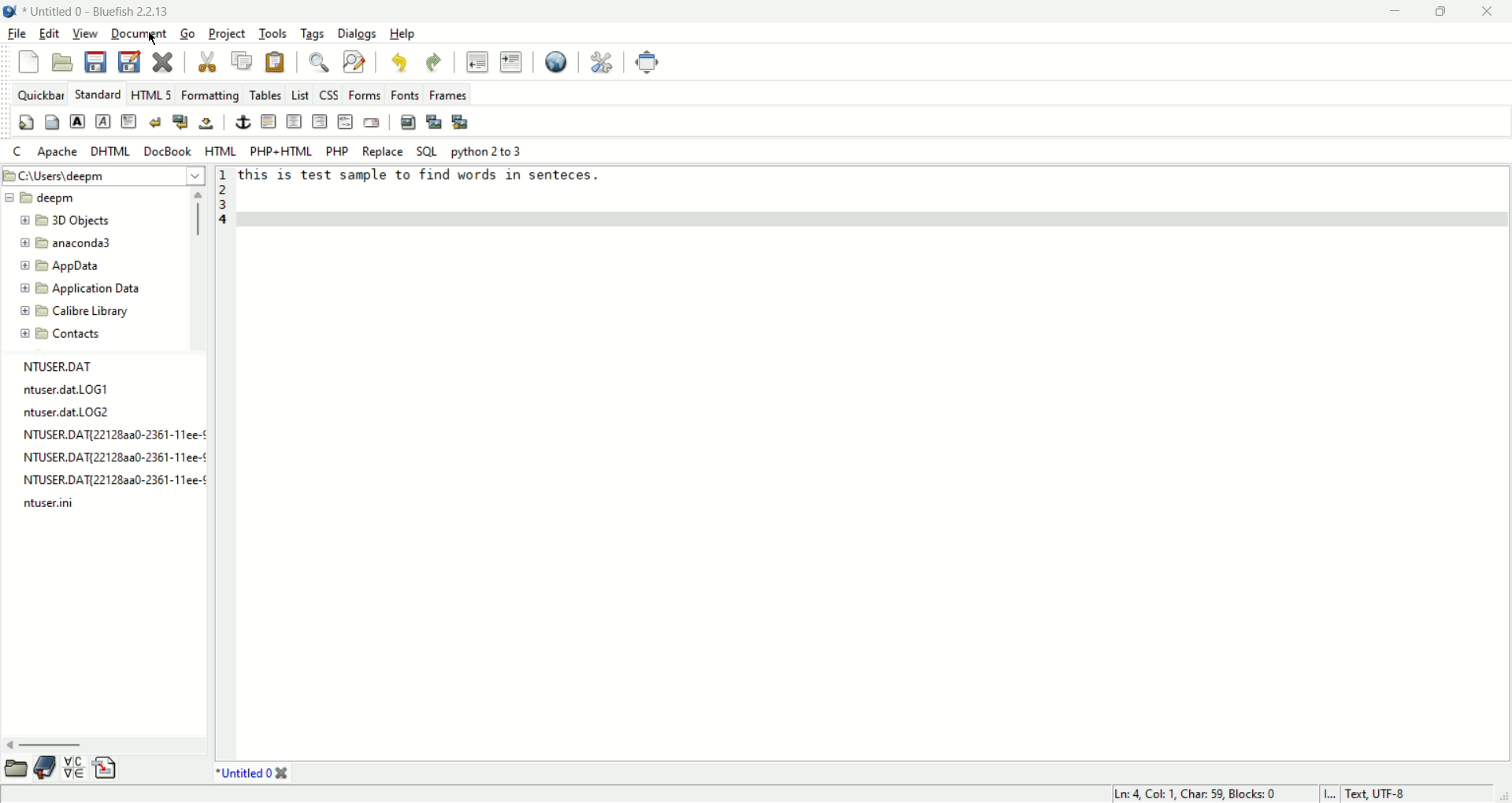  Describe the element at coordinates (153, 39) in the screenshot. I see `cursor` at that location.